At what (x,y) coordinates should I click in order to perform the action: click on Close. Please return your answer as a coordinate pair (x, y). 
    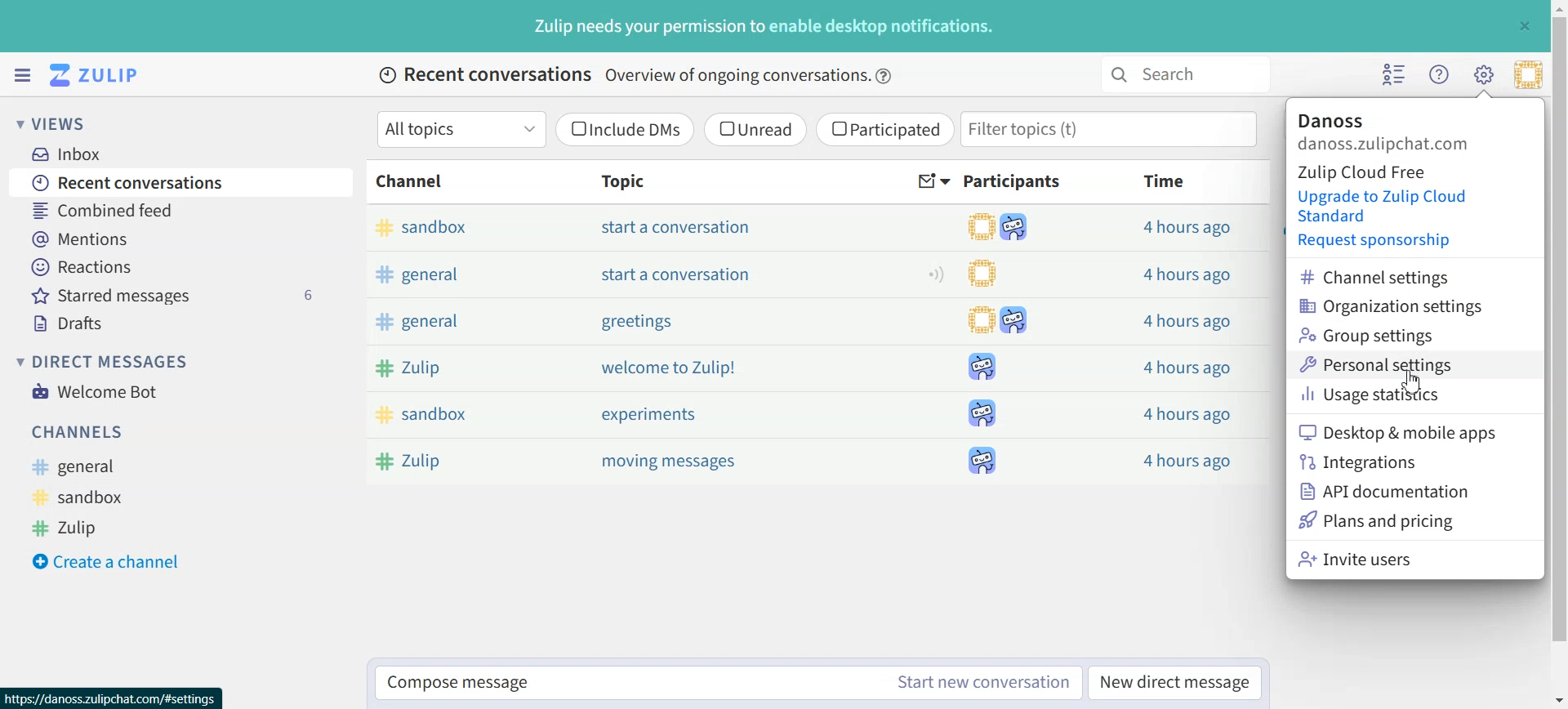
    Looking at the image, I should click on (1524, 25).